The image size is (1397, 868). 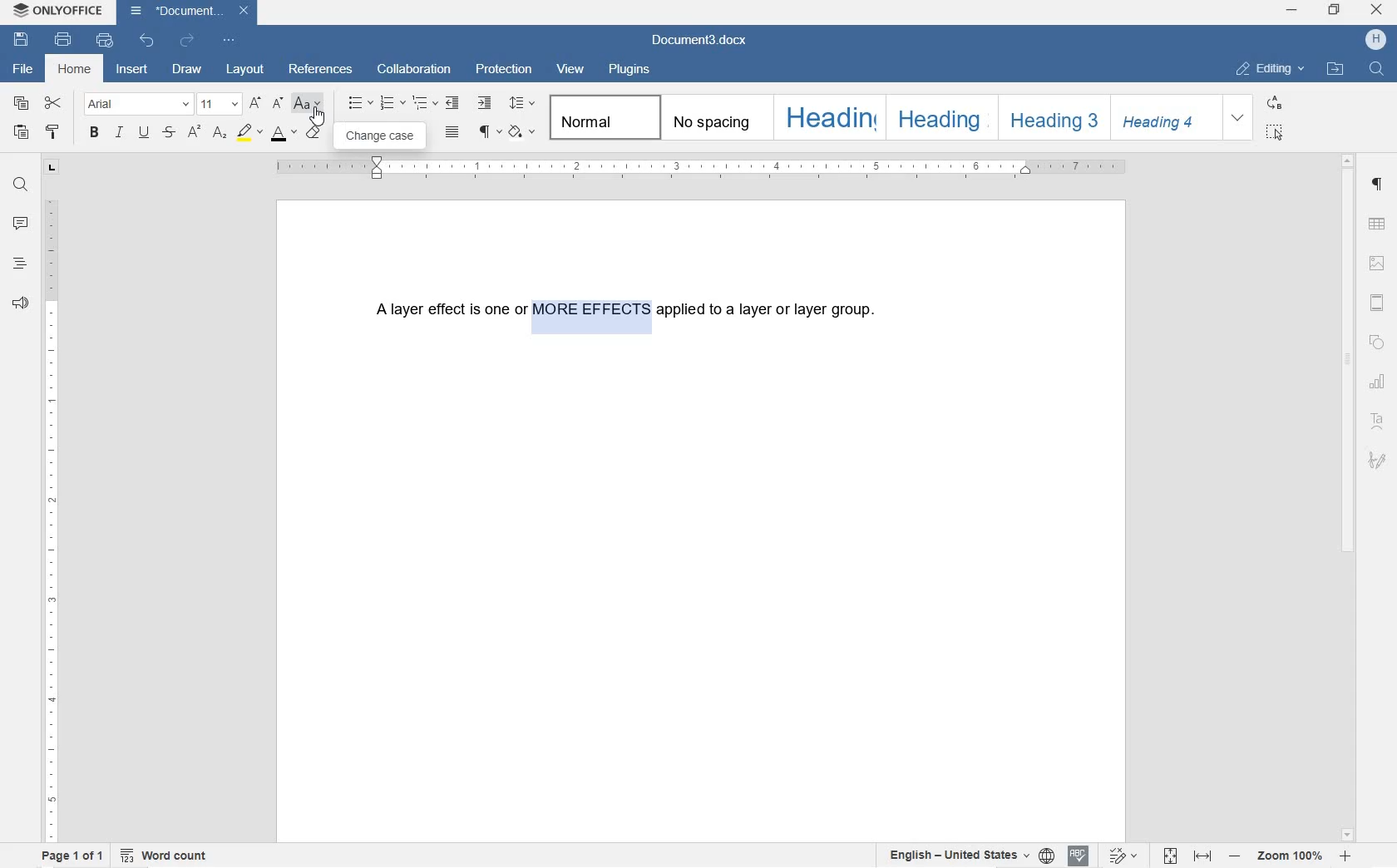 I want to click on RESTORE, so click(x=1335, y=12).